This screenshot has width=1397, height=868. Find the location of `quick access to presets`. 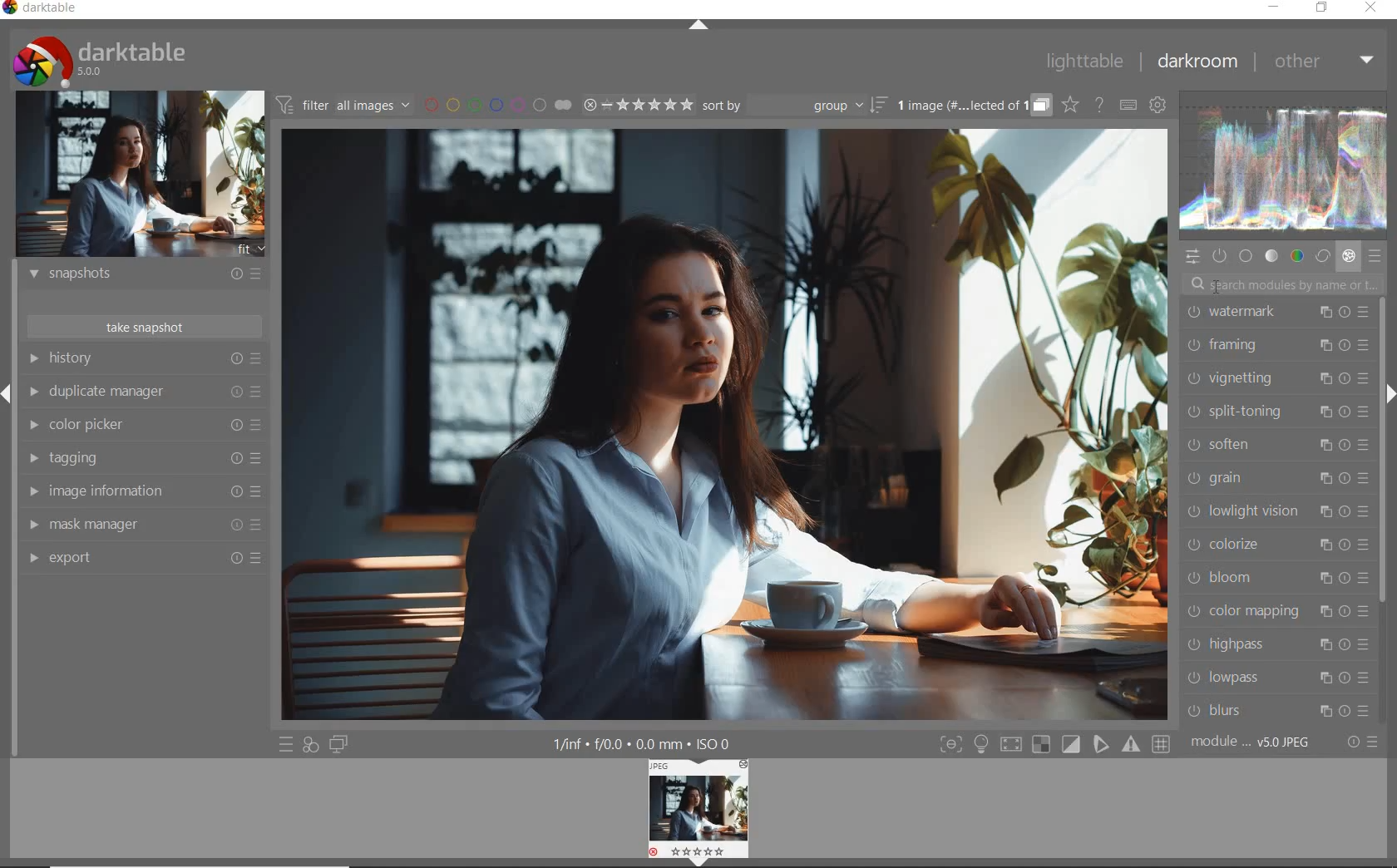

quick access to presets is located at coordinates (286, 744).